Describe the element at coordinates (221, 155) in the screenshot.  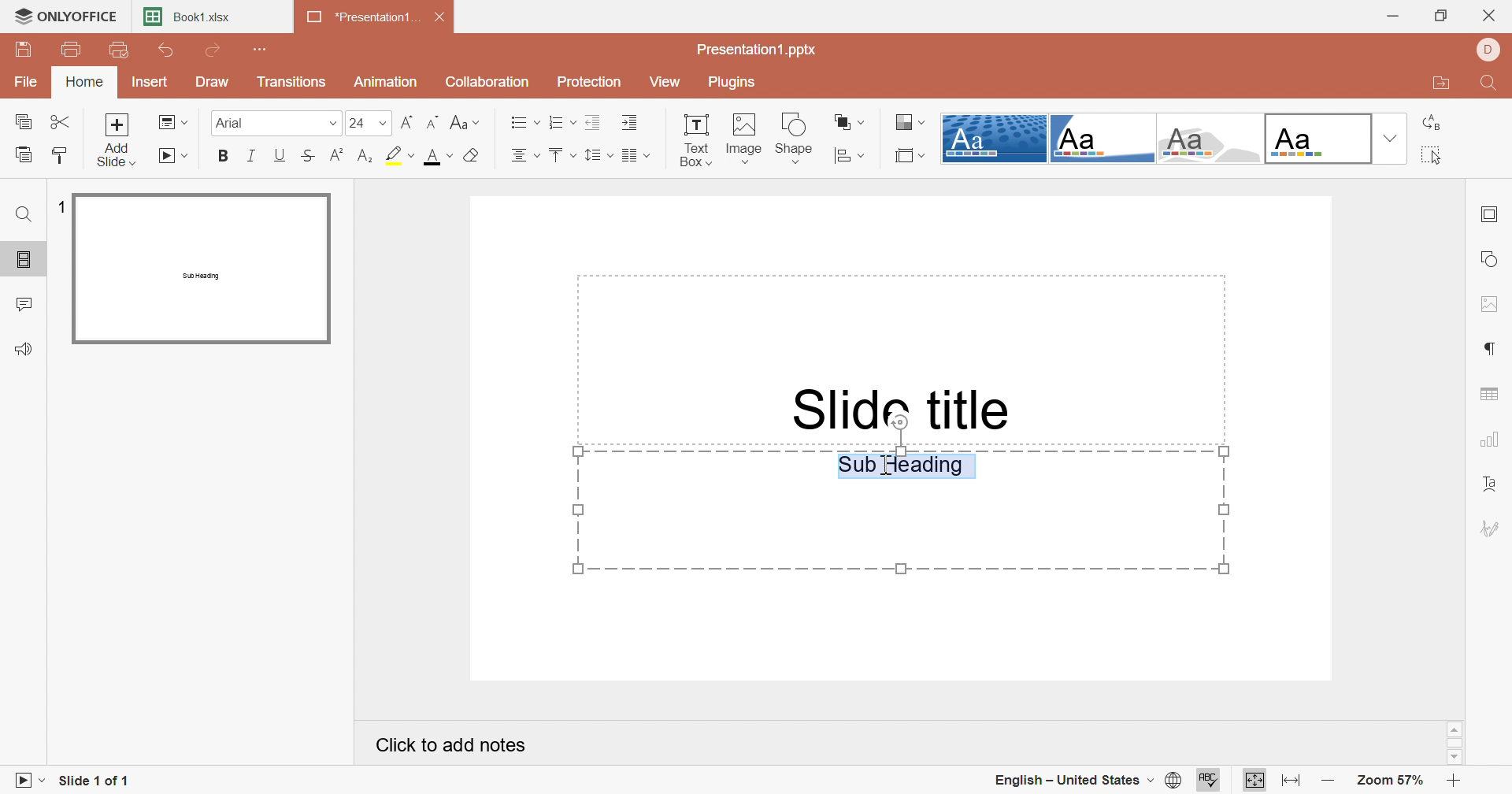
I see `Bold` at that location.